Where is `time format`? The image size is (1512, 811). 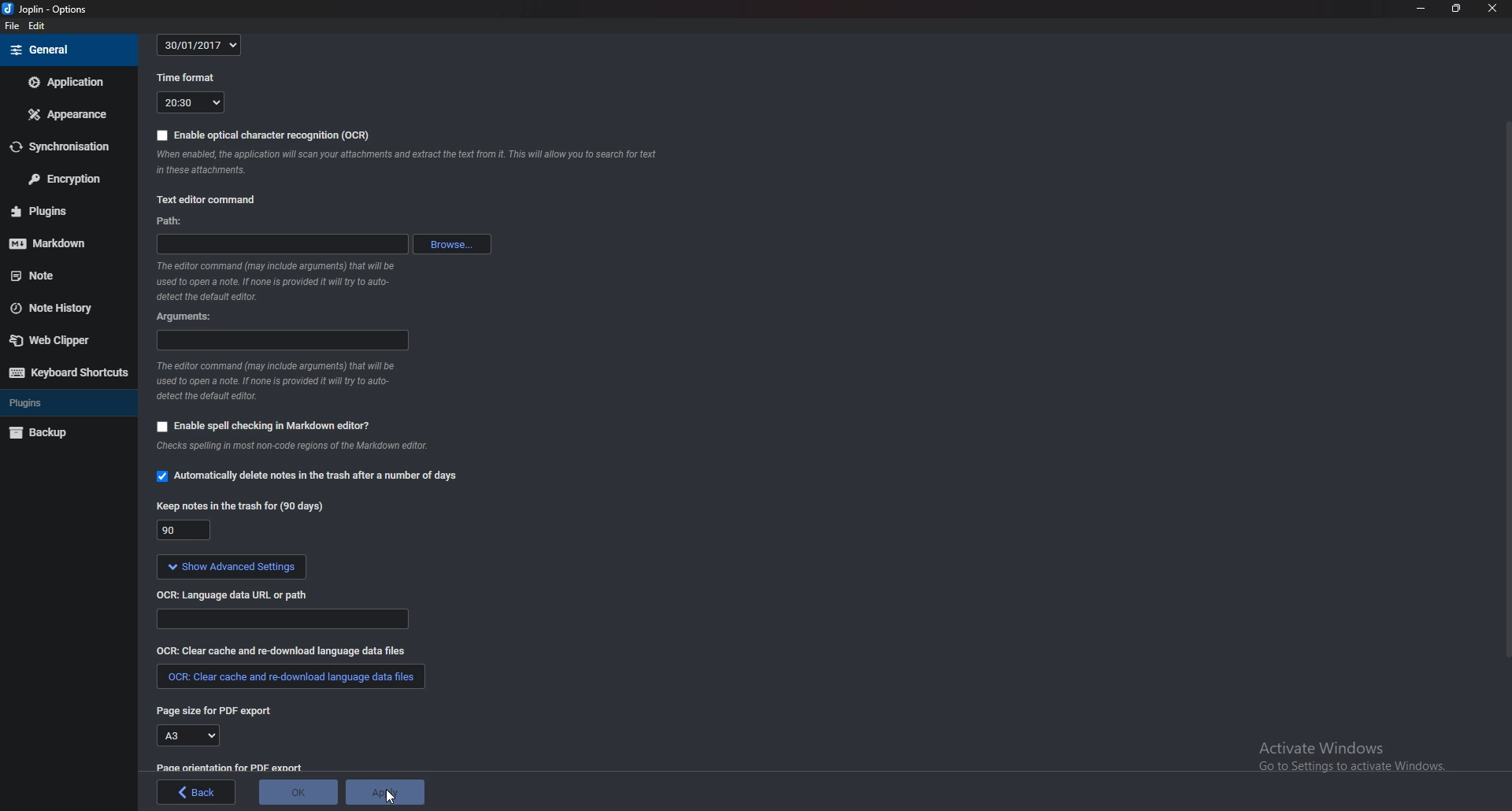 time format is located at coordinates (186, 80).